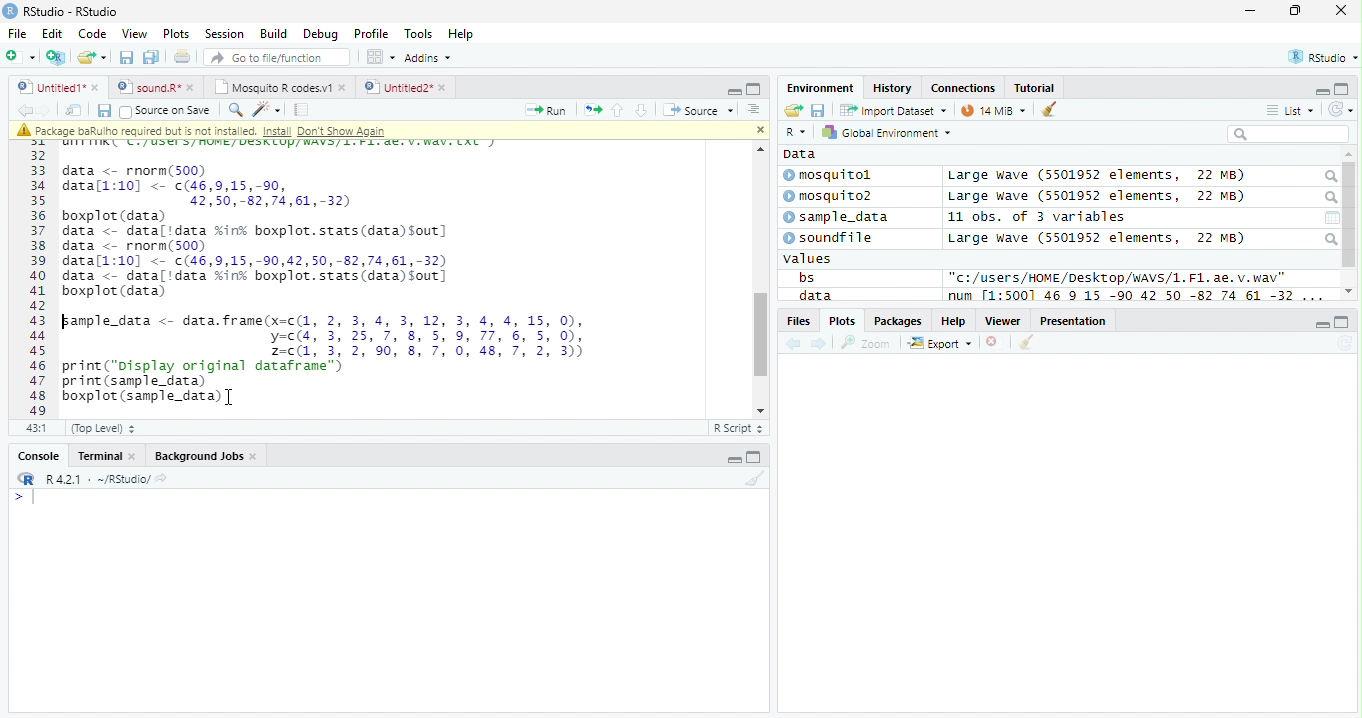 This screenshot has height=718, width=1362. I want to click on Mosquito R codes.v1, so click(277, 86).